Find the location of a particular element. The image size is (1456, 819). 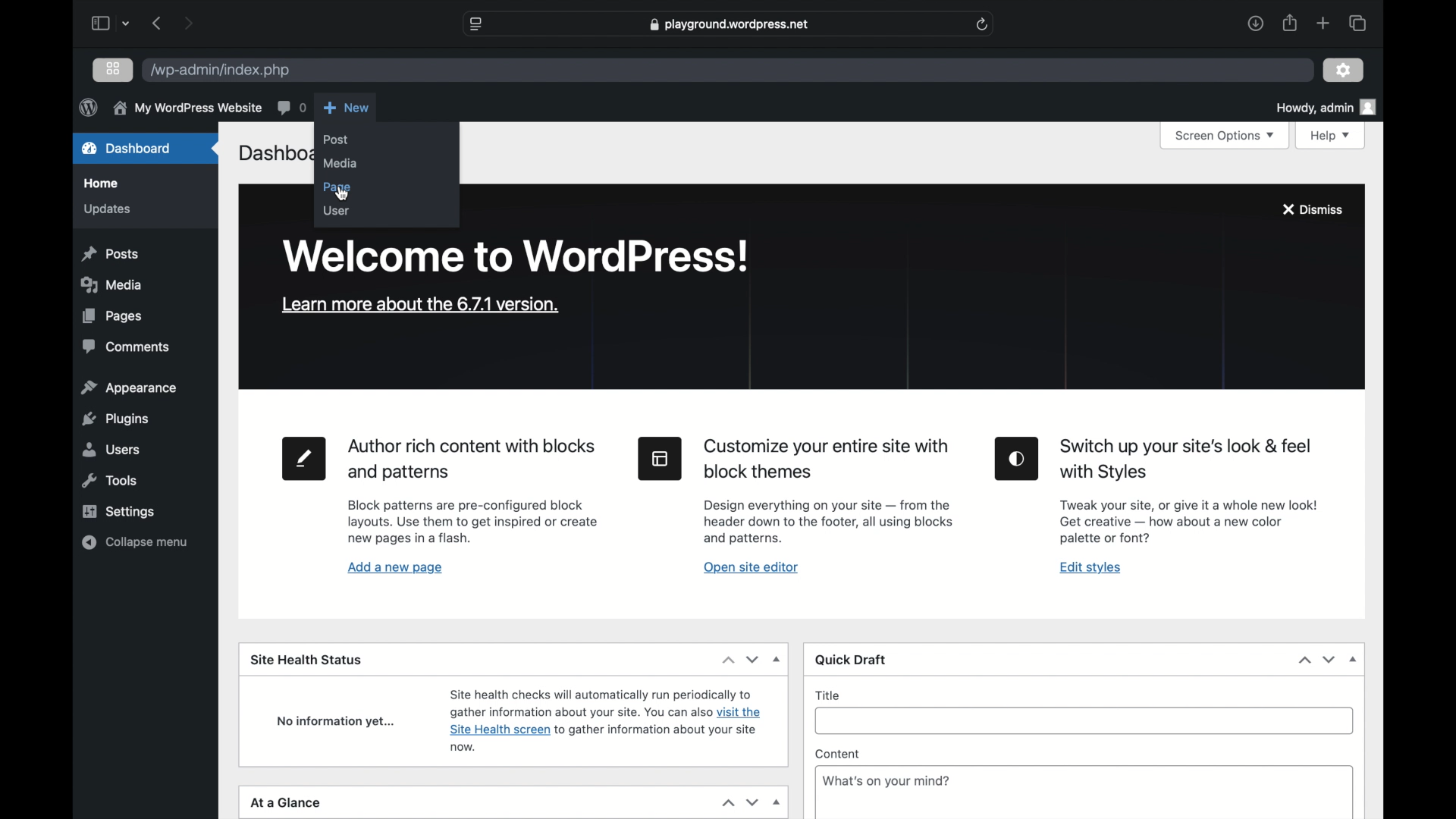

share is located at coordinates (1288, 23).